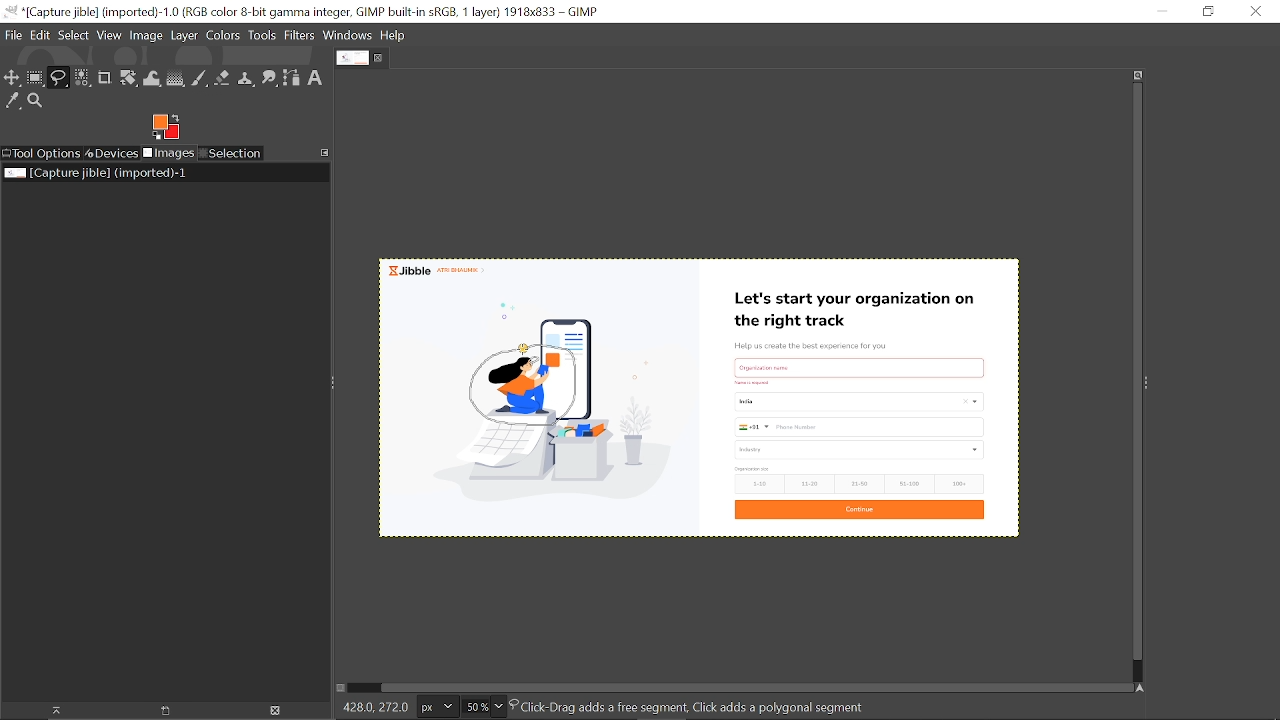  What do you see at coordinates (176, 78) in the screenshot?
I see `Gradient tool` at bounding box center [176, 78].